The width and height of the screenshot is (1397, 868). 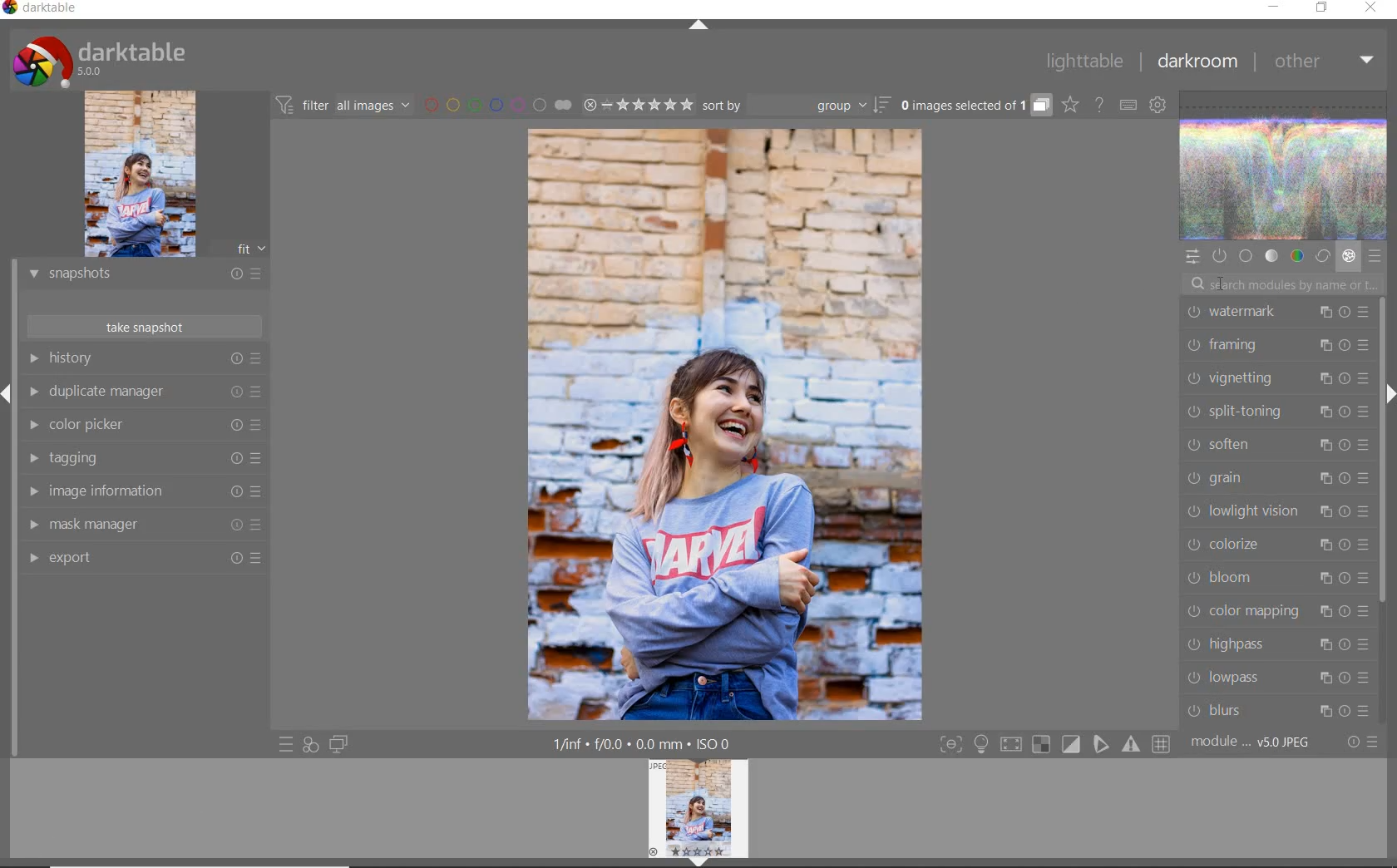 I want to click on watermark, so click(x=1278, y=313).